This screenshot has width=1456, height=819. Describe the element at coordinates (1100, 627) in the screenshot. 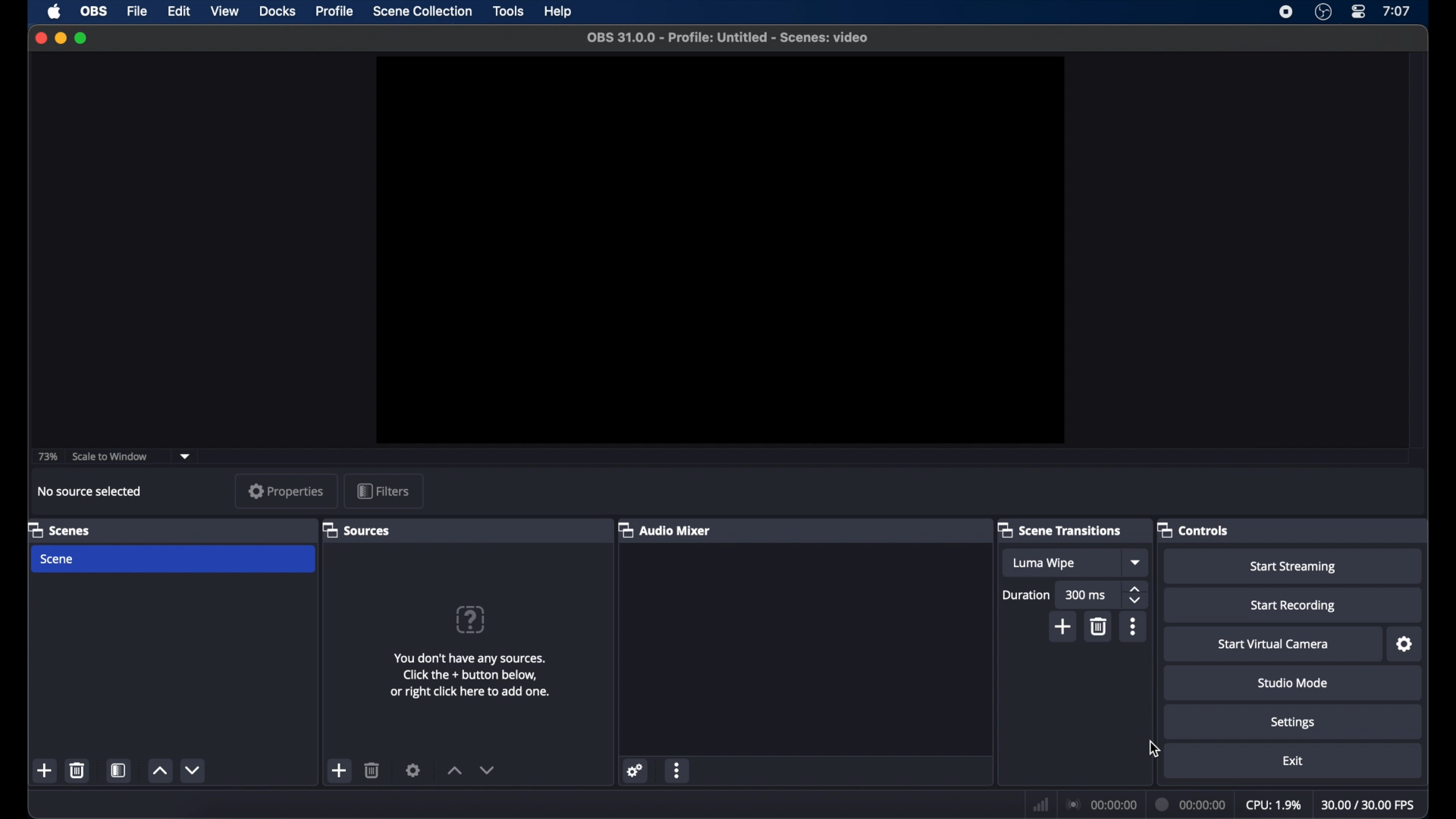

I see `delete` at that location.